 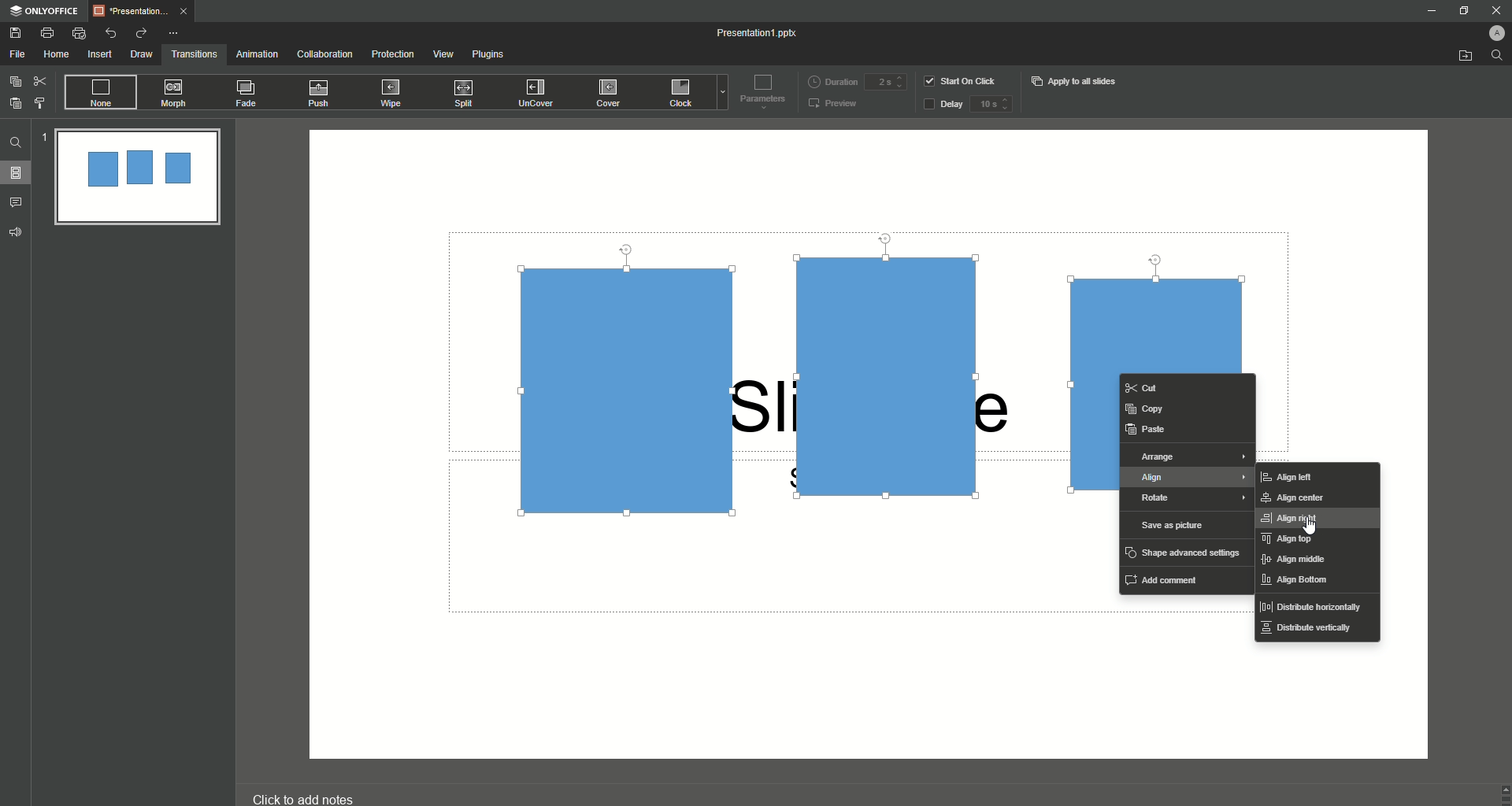 What do you see at coordinates (1290, 540) in the screenshot?
I see `Align top` at bounding box center [1290, 540].